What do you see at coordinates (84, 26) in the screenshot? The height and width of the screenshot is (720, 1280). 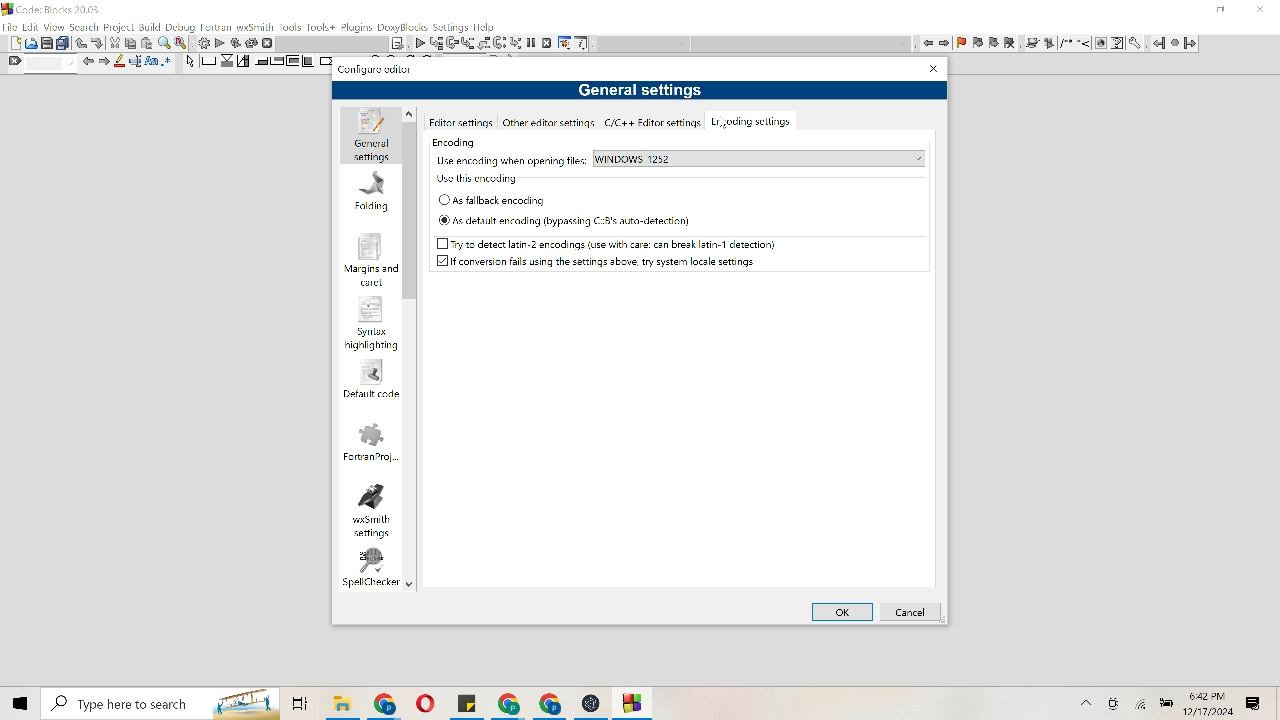 I see `Search` at bounding box center [84, 26].